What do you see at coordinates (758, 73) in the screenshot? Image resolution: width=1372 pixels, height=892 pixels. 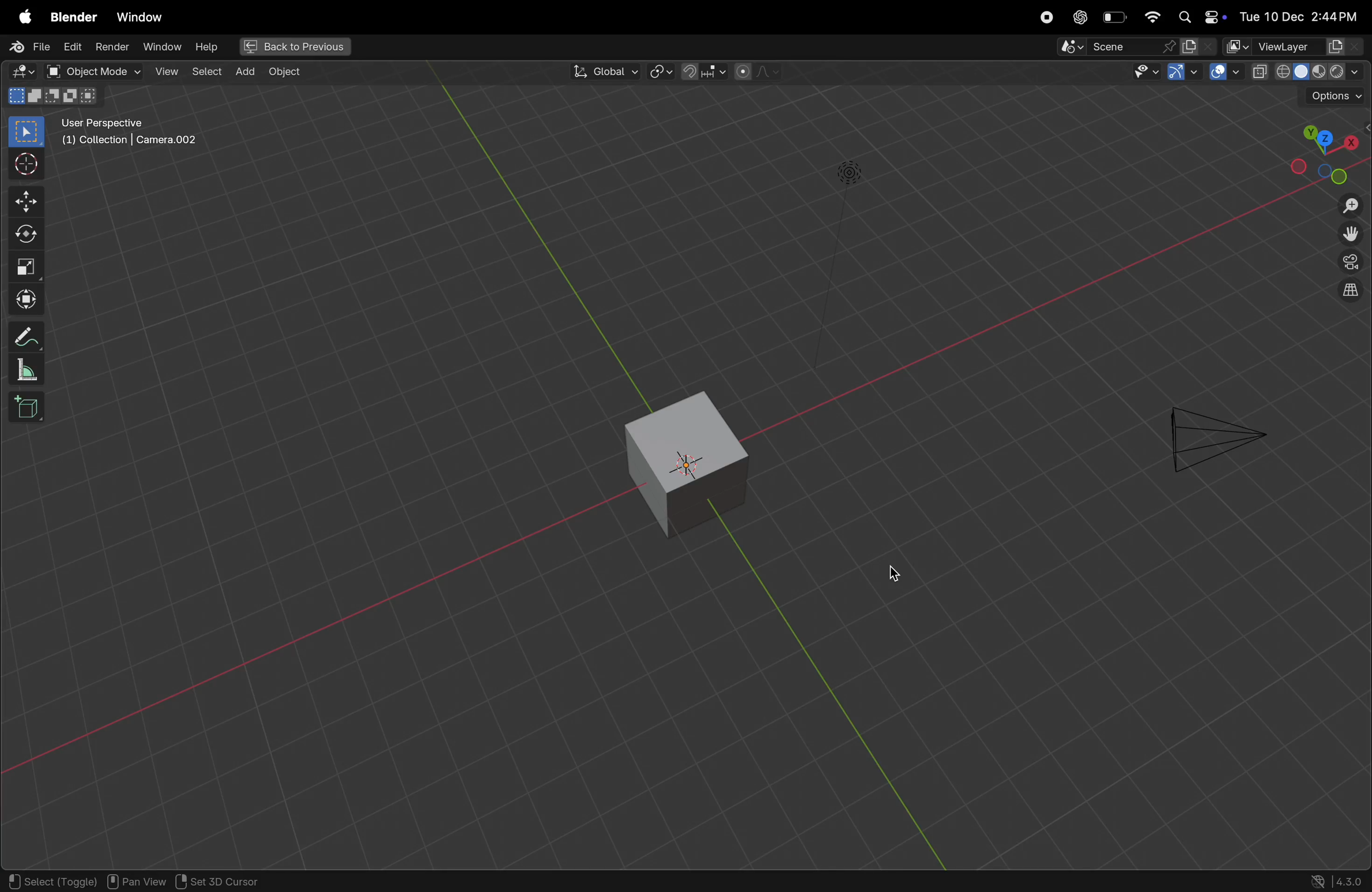 I see `proportional editing objects` at bounding box center [758, 73].